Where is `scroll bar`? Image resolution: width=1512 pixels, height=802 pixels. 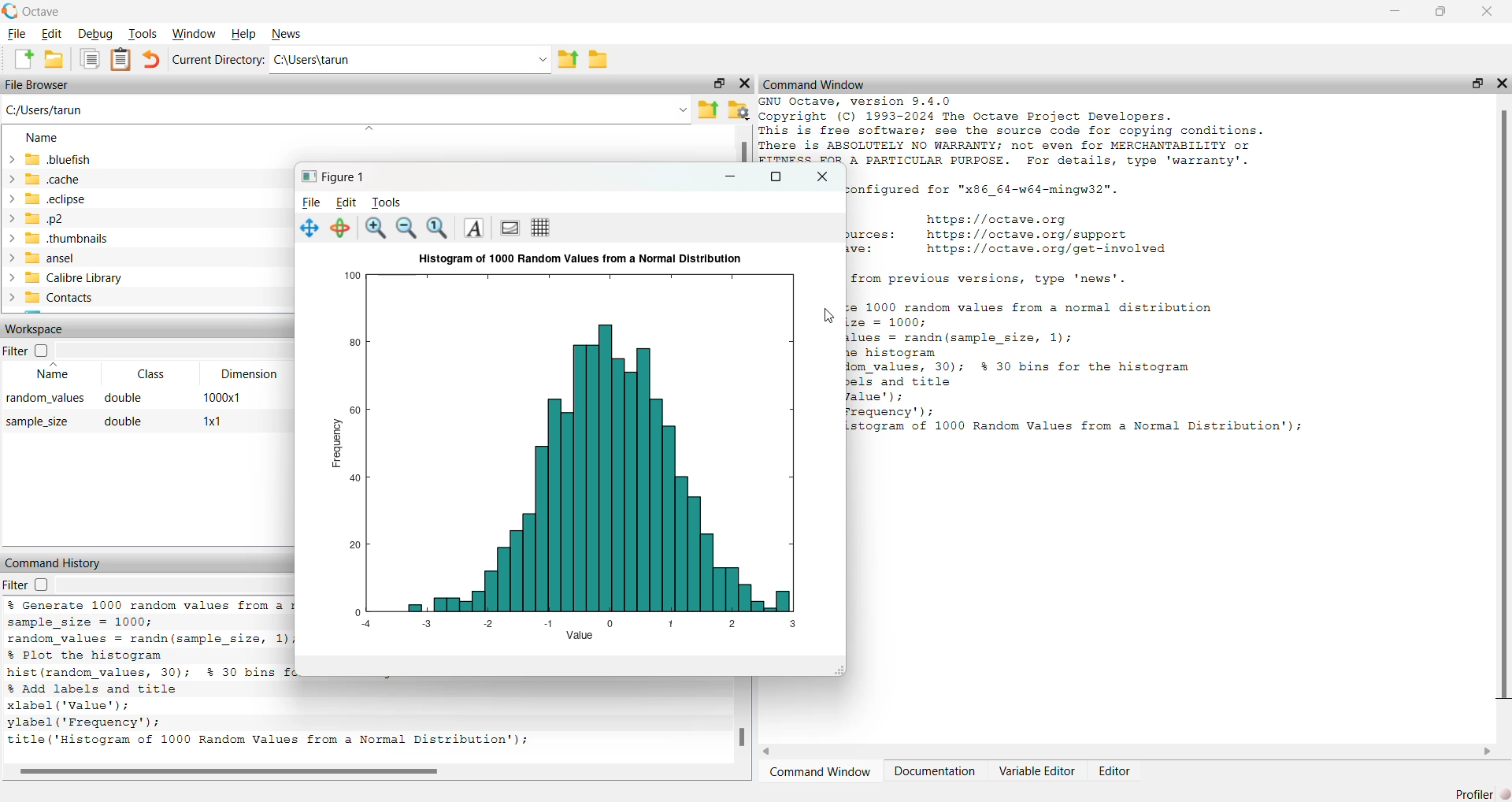 scroll bar is located at coordinates (1503, 408).